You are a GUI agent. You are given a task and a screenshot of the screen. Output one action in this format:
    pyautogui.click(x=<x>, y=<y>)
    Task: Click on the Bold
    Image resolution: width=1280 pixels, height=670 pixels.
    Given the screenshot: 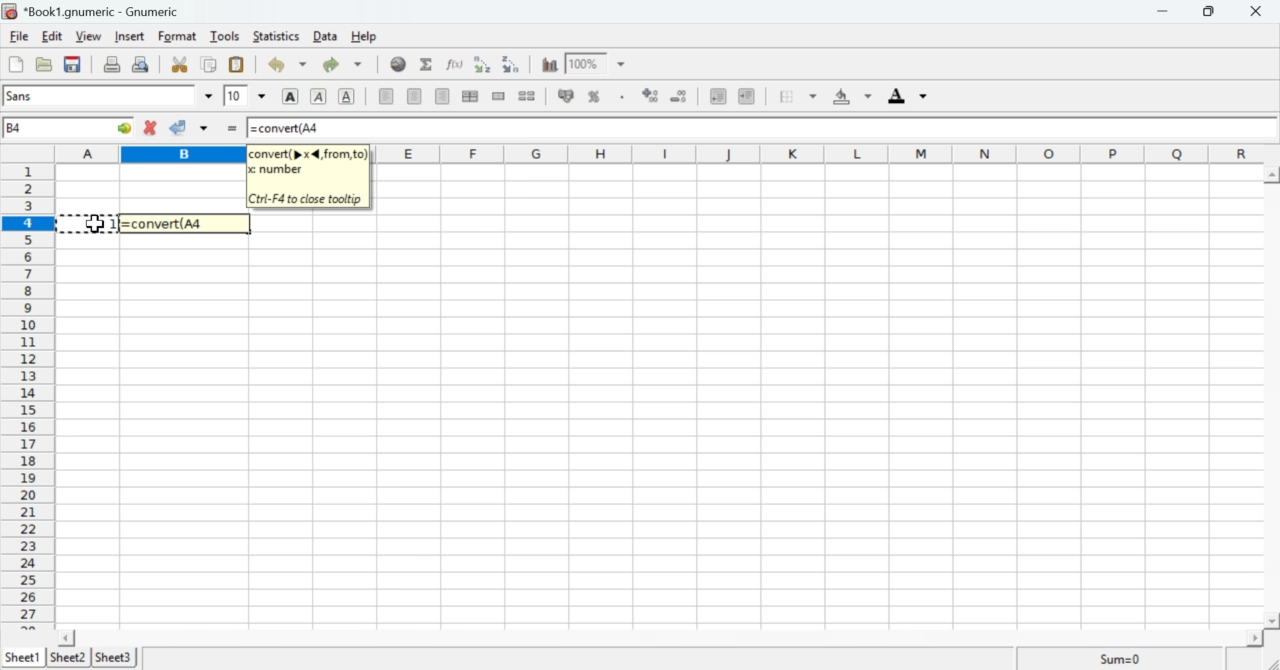 What is the action you would take?
    pyautogui.click(x=291, y=96)
    